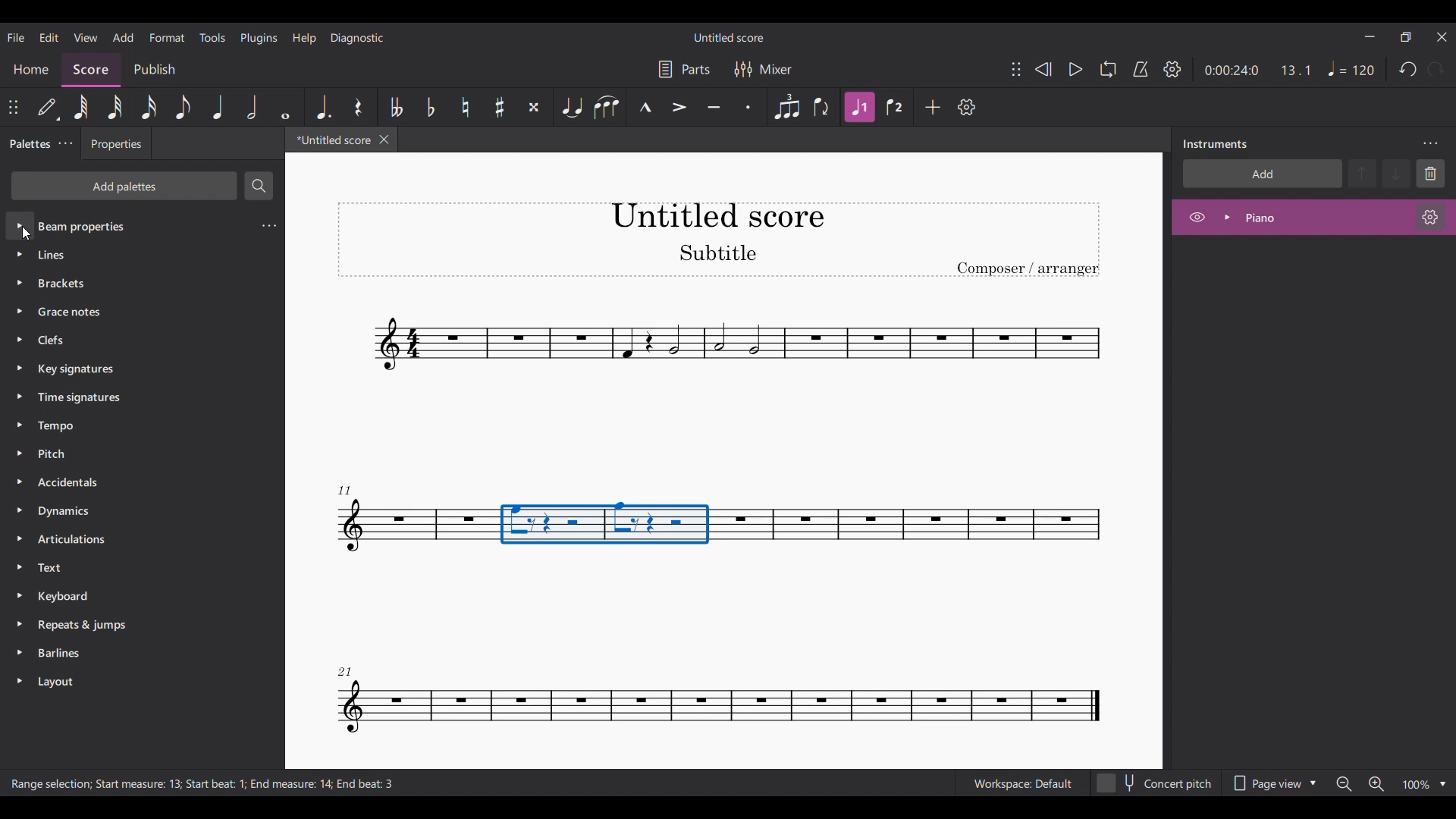  I want to click on Untitled score, so click(728, 37).